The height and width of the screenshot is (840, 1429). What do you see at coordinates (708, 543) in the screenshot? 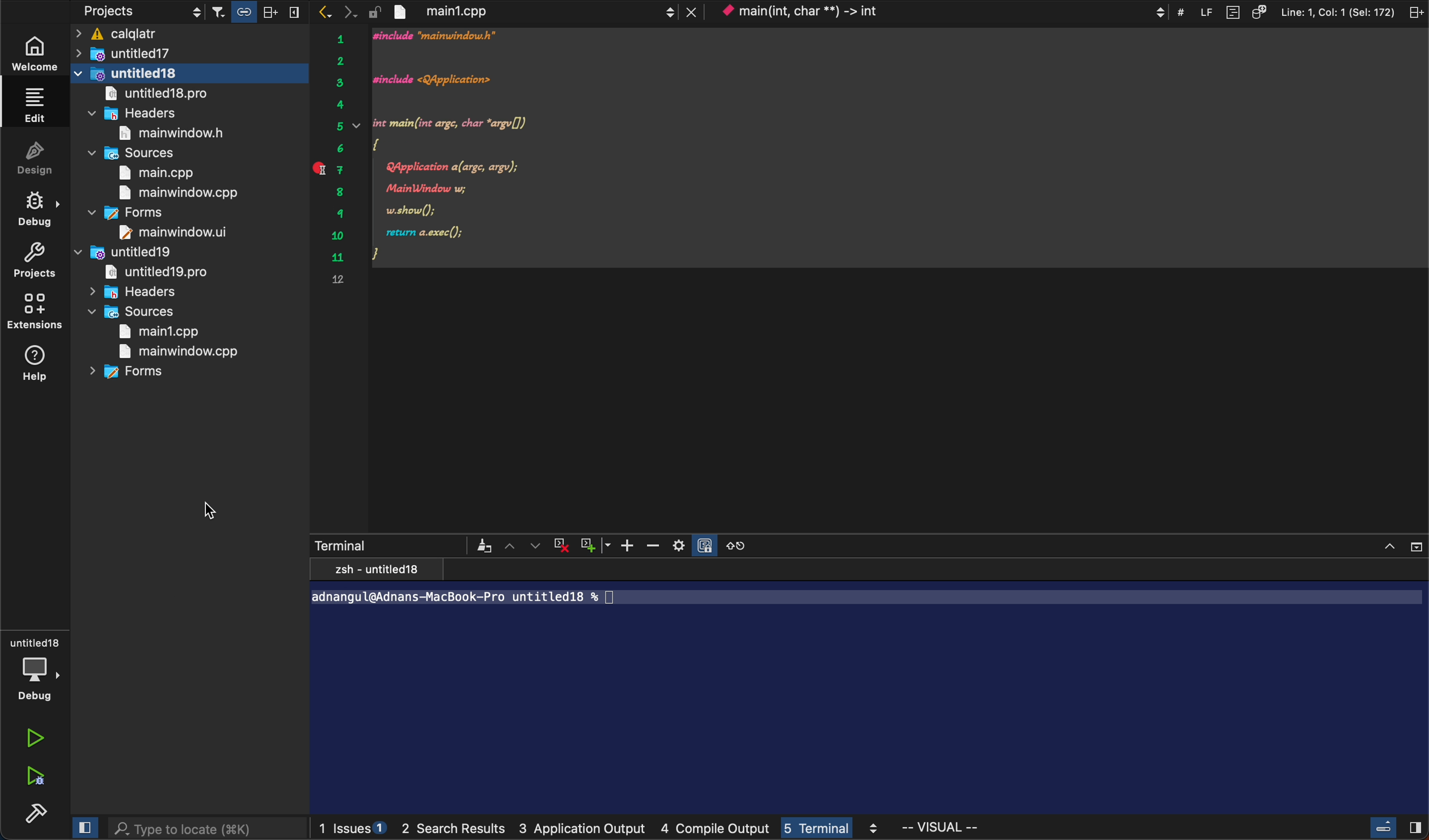
I see `` at bounding box center [708, 543].